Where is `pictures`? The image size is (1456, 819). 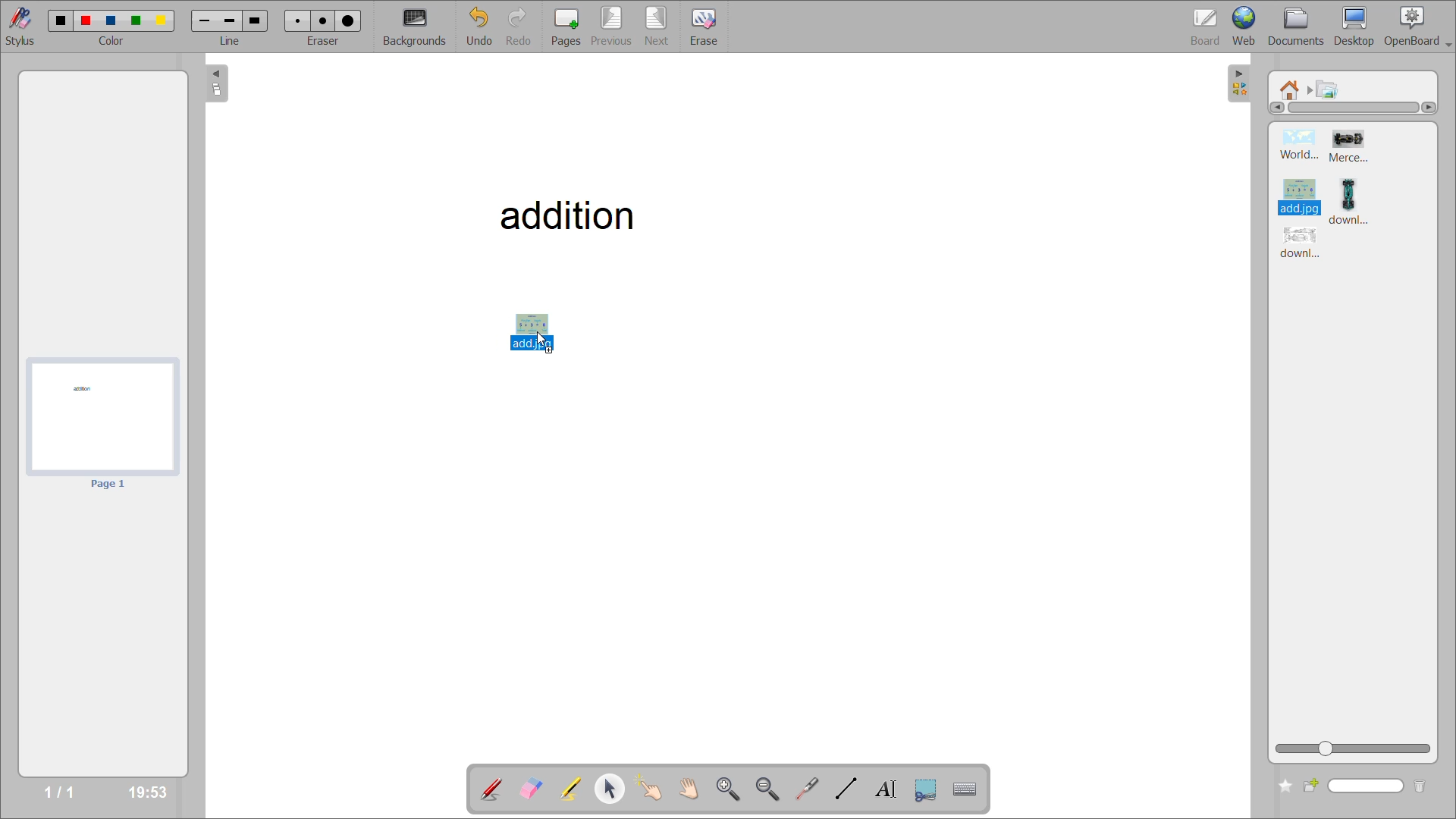
pictures is located at coordinates (1329, 89).